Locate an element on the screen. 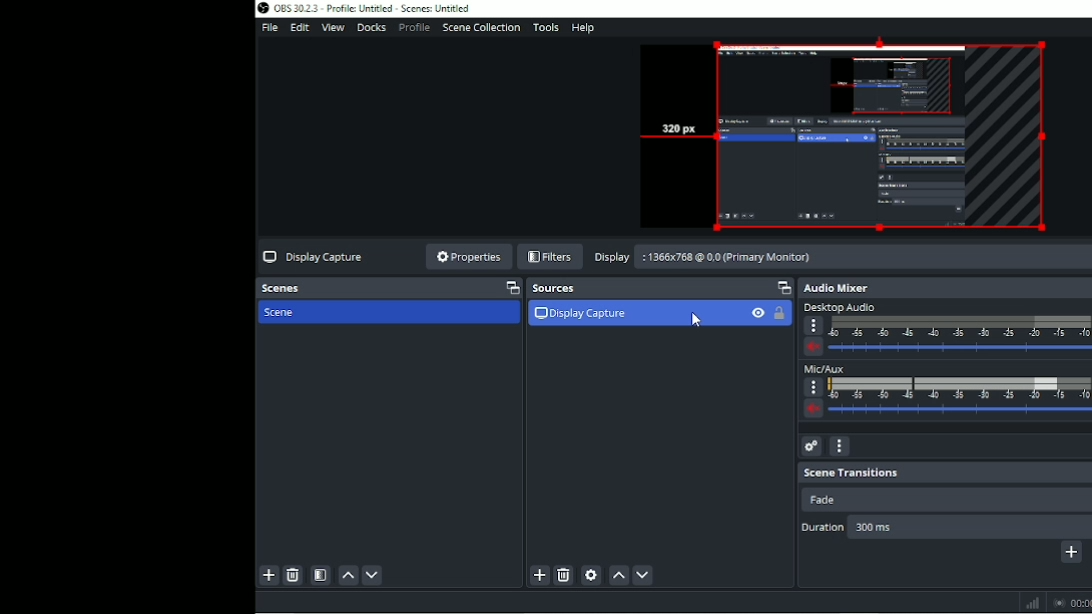 The image size is (1092, 614). Add scene is located at coordinates (267, 576).